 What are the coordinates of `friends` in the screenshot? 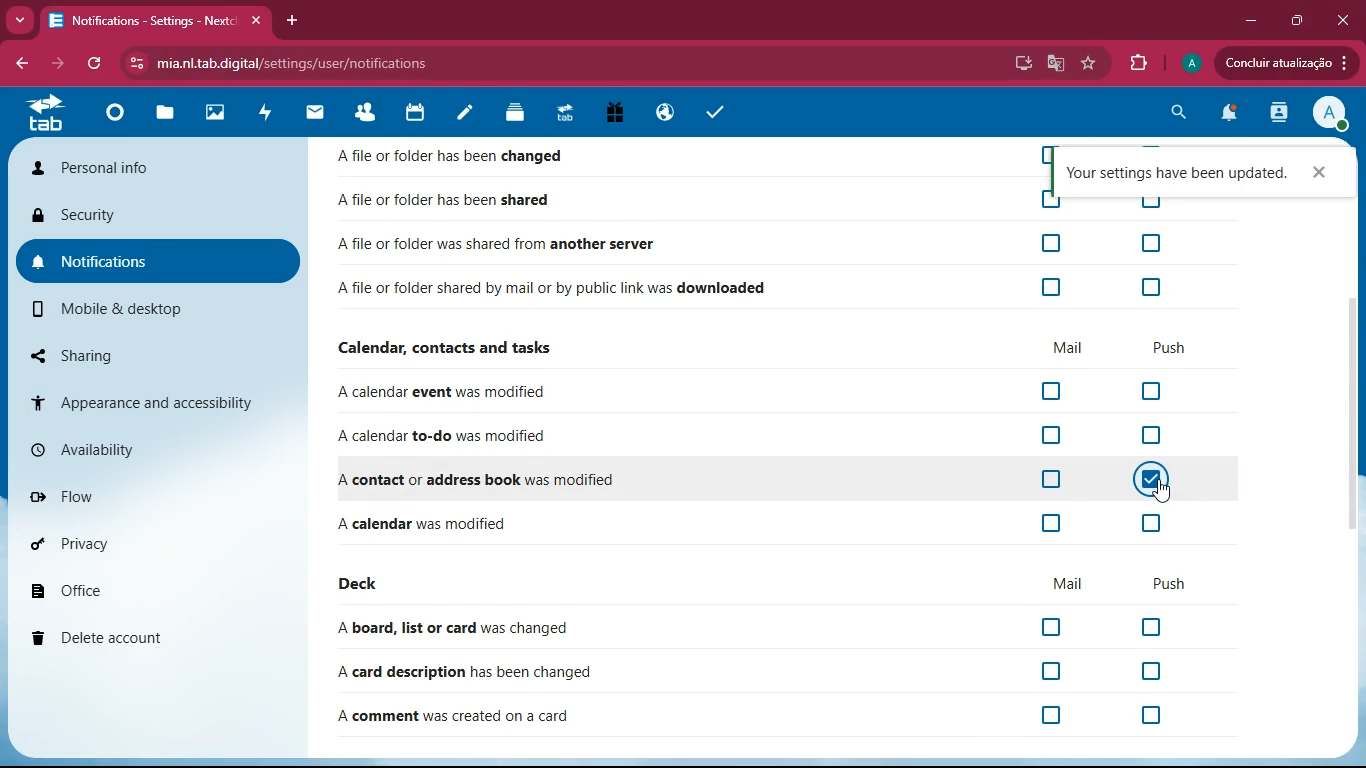 It's located at (371, 113).